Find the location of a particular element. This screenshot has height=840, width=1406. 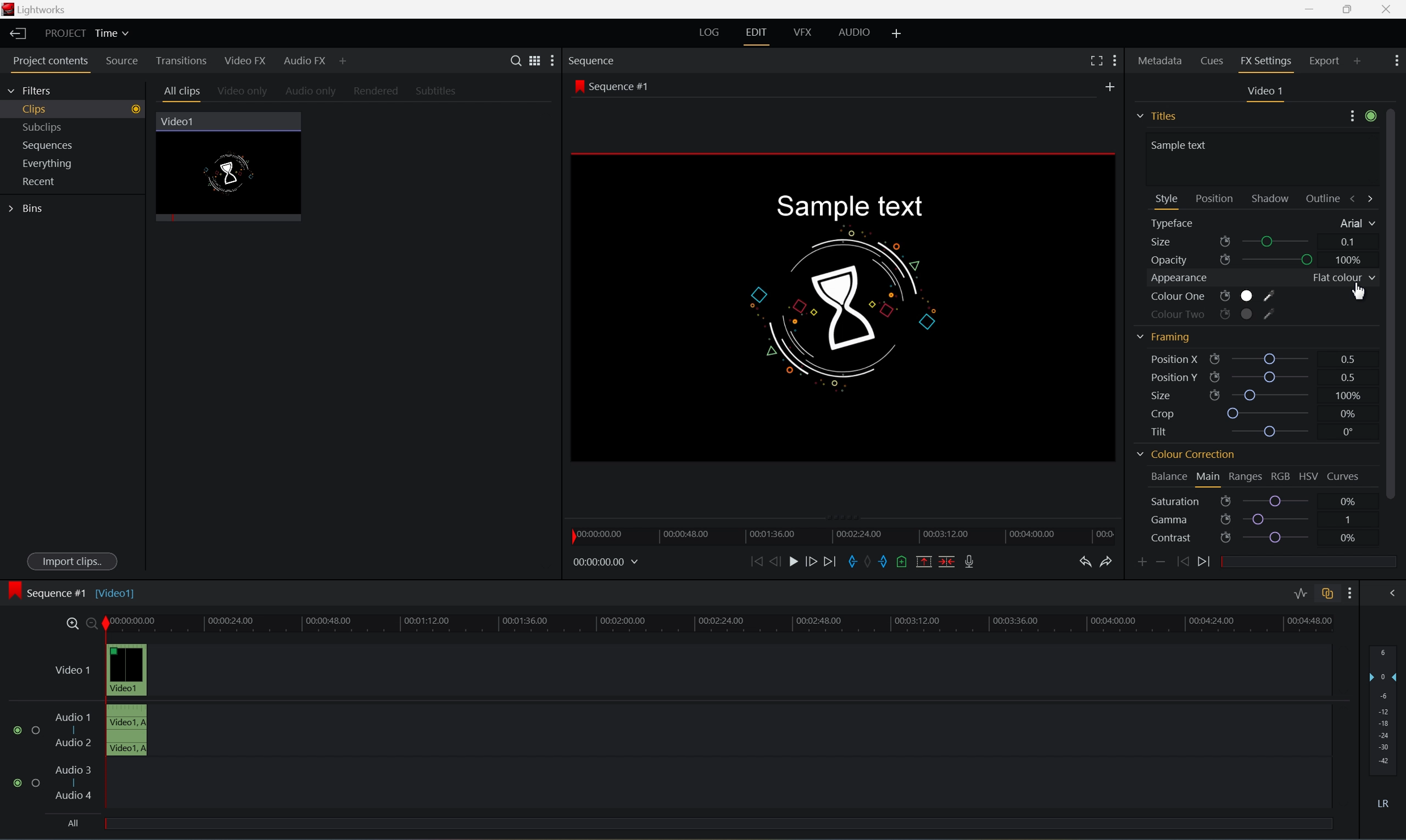

add keyframe at the current position is located at coordinates (1143, 562).